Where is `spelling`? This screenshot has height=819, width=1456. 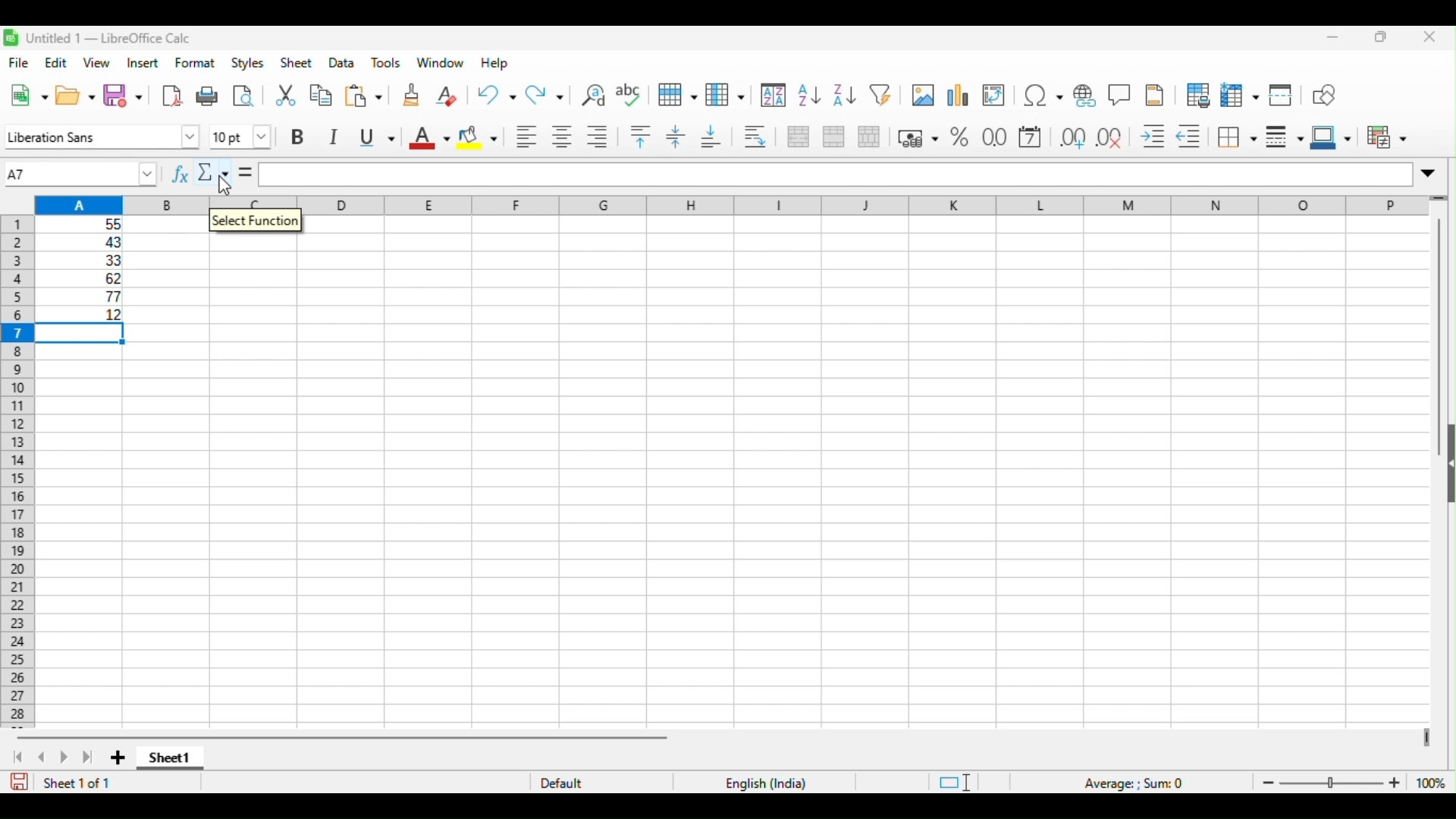 spelling is located at coordinates (631, 94).